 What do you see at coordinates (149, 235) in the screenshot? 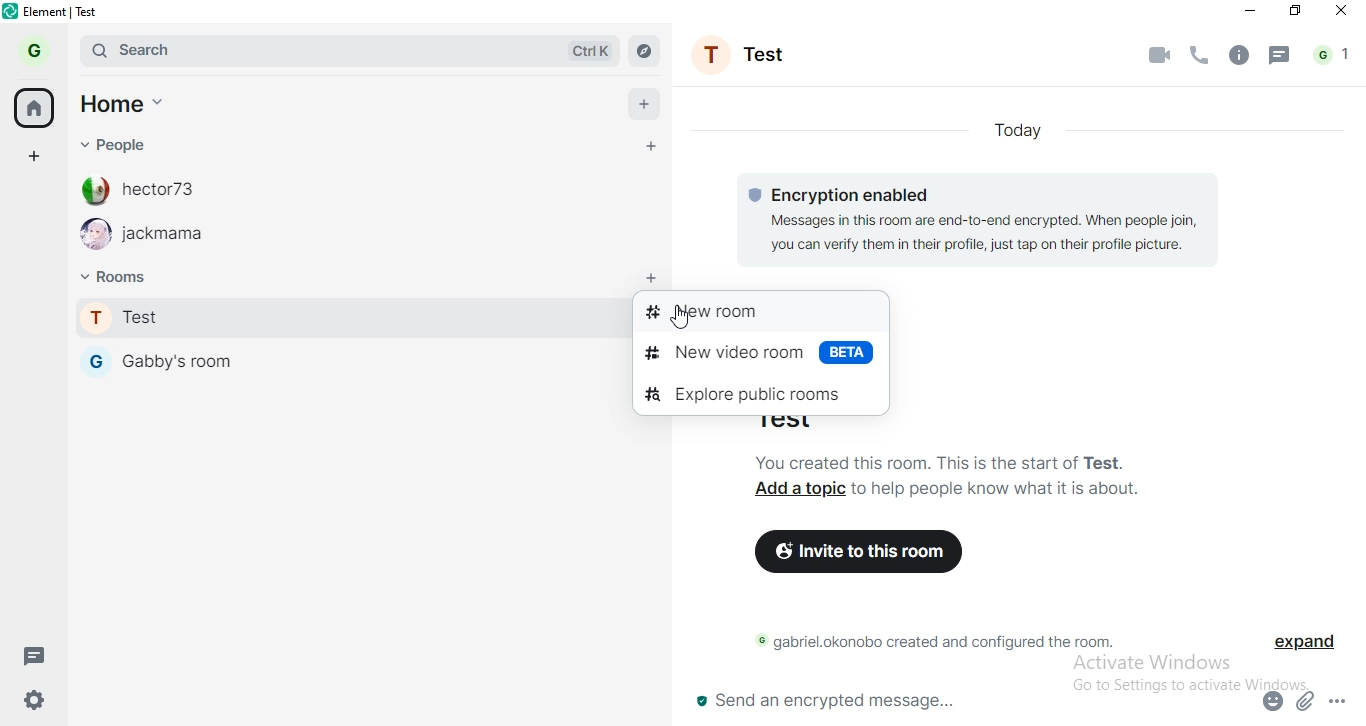
I see `jackmama` at bounding box center [149, 235].